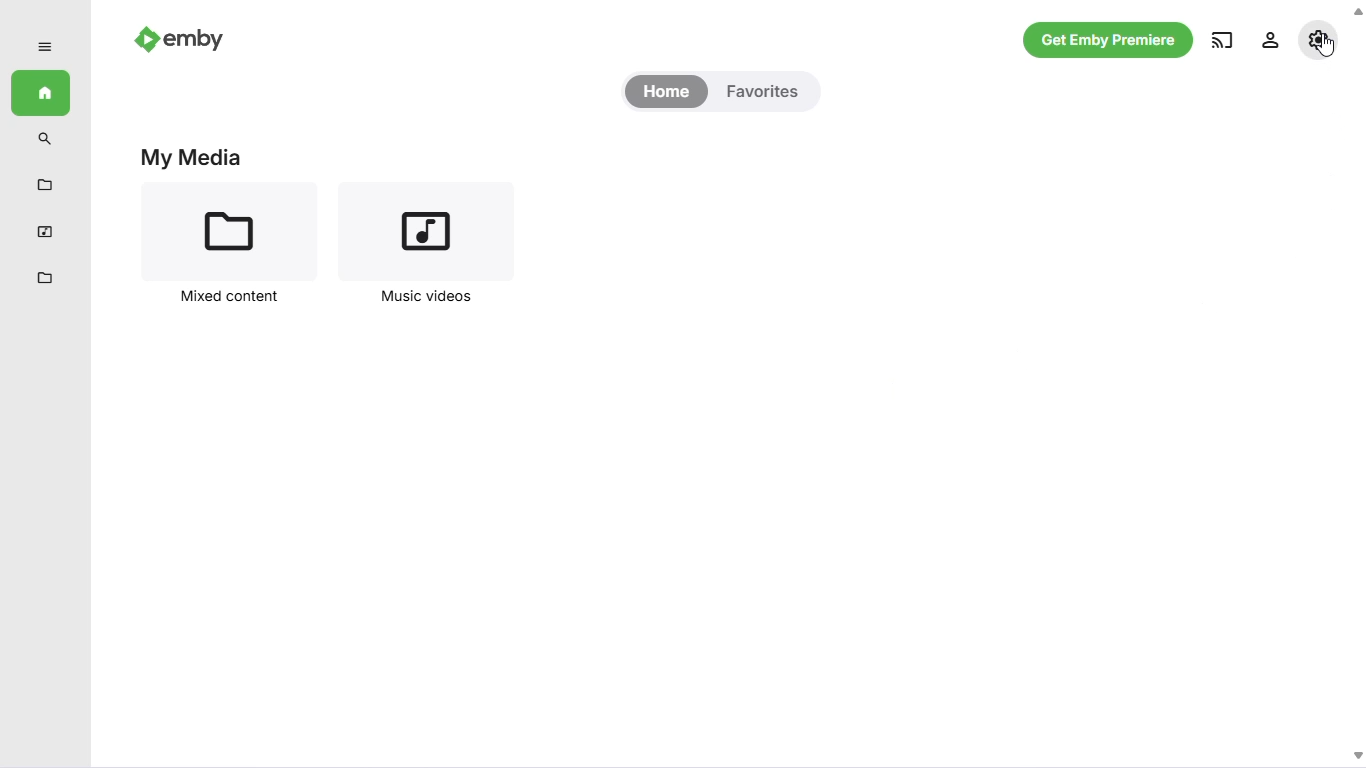 This screenshot has width=1366, height=768. Describe the element at coordinates (427, 246) in the screenshot. I see `music videos` at that location.